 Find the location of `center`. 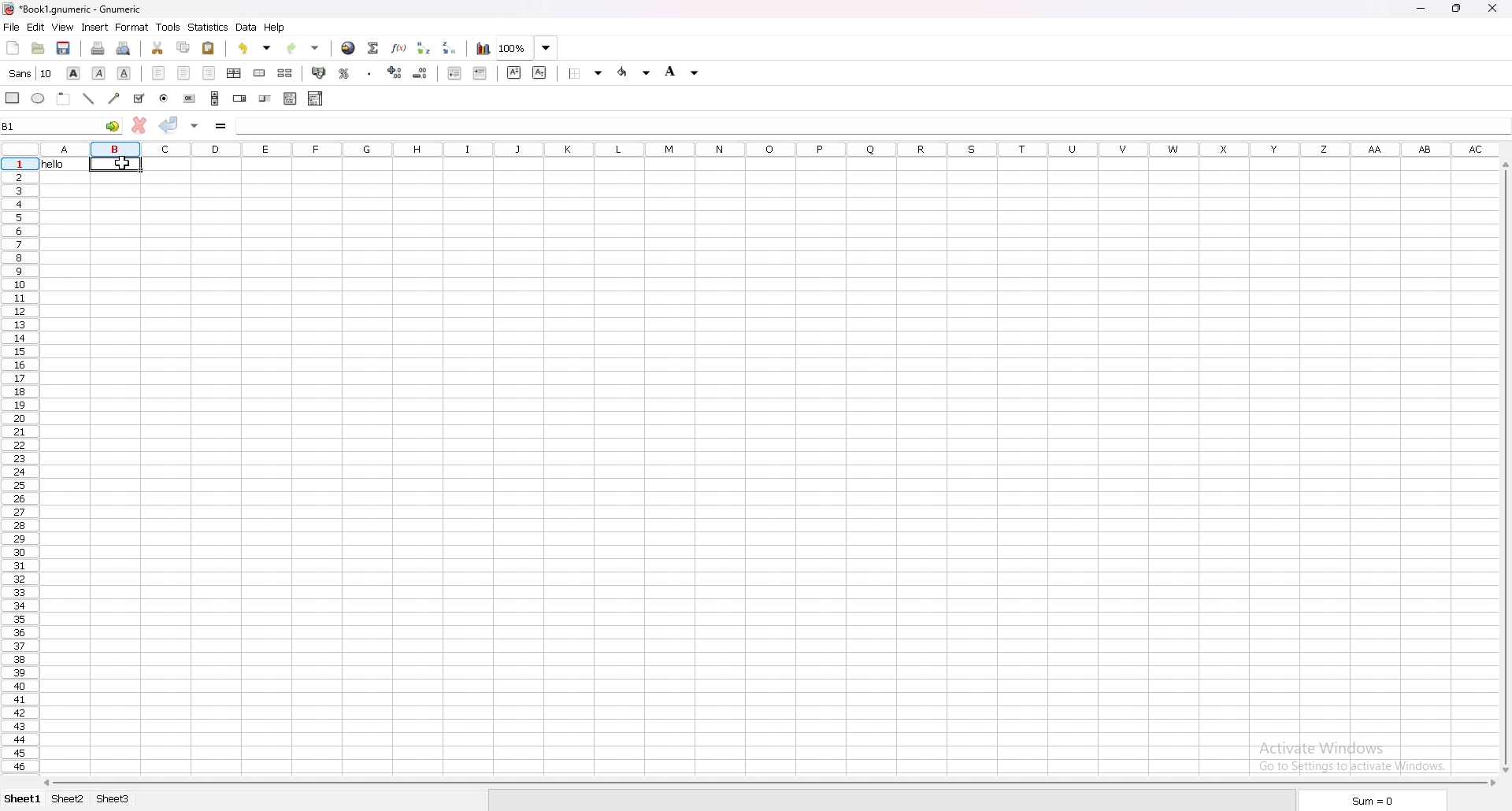

center is located at coordinates (183, 72).